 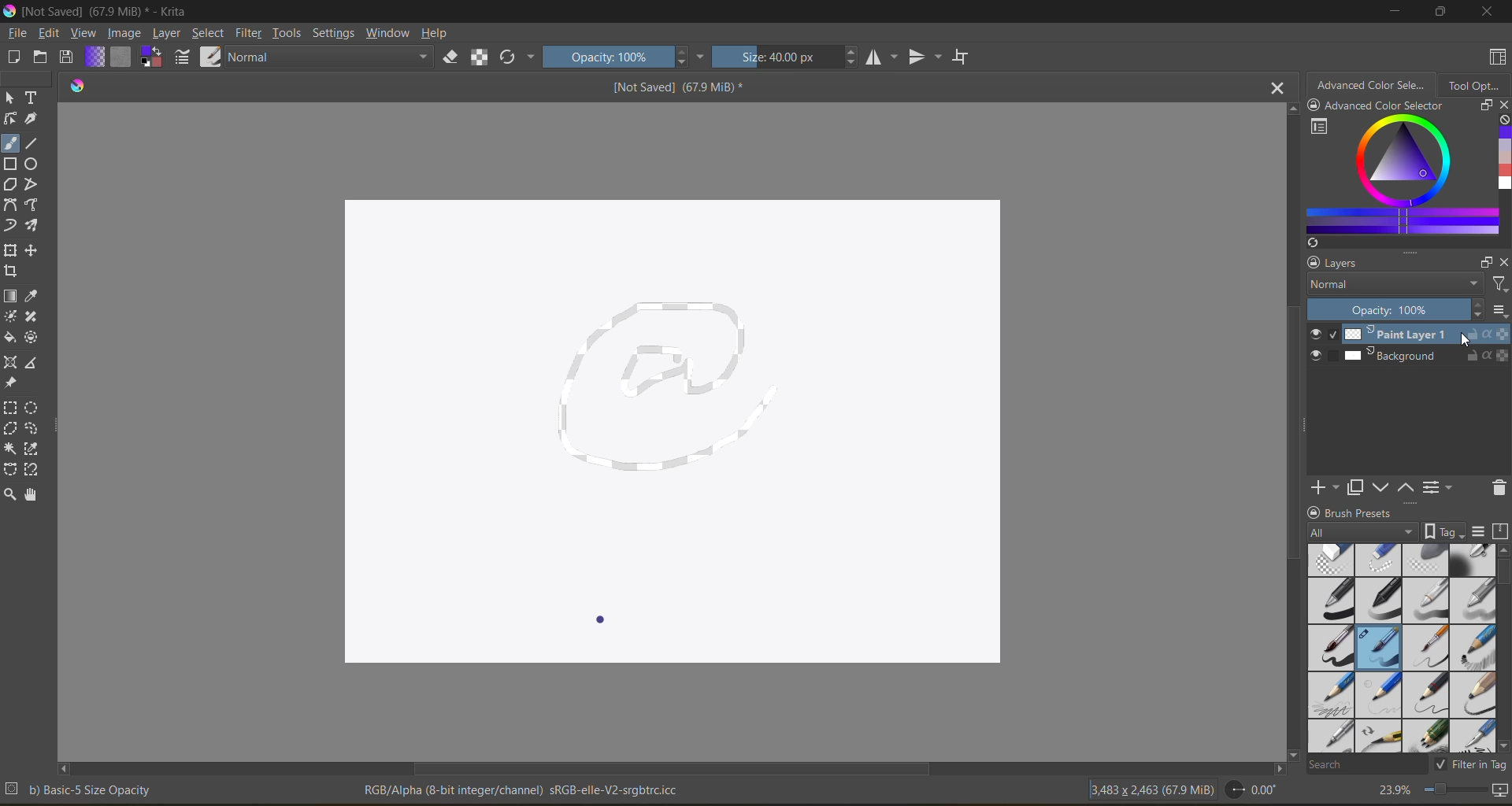 I want to click on scroll down, so click(x=1503, y=746).